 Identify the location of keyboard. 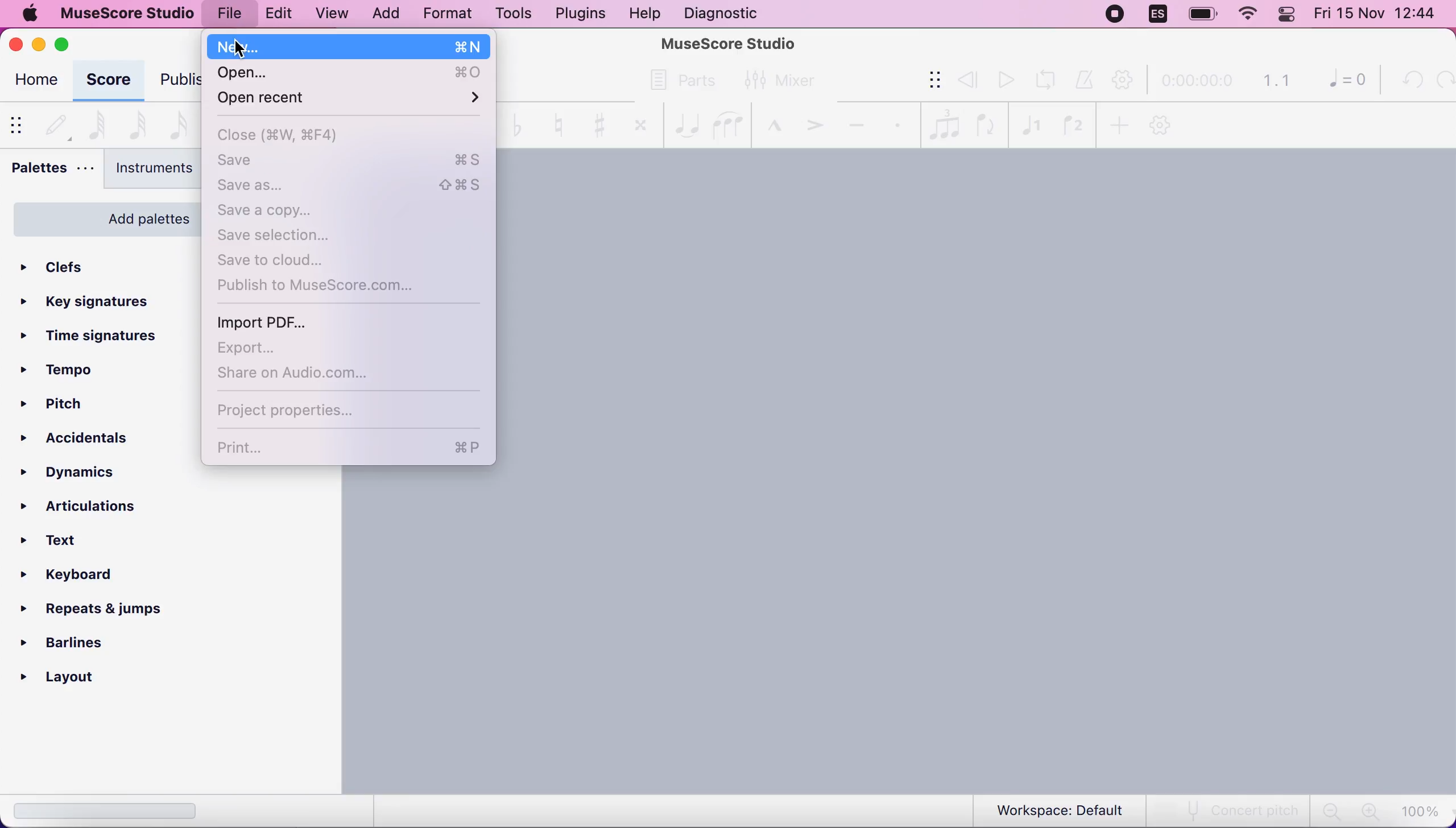
(76, 577).